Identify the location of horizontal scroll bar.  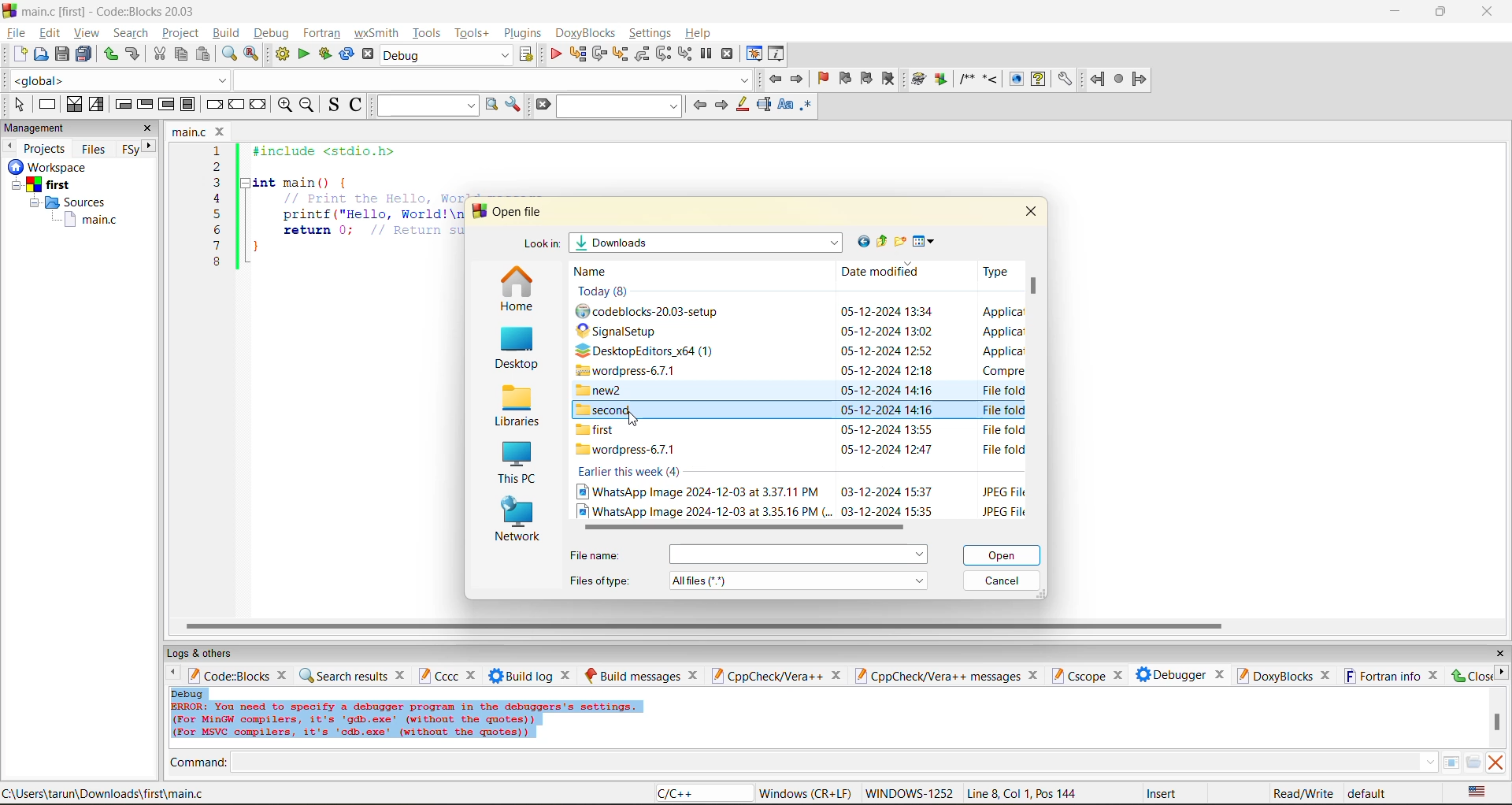
(737, 527).